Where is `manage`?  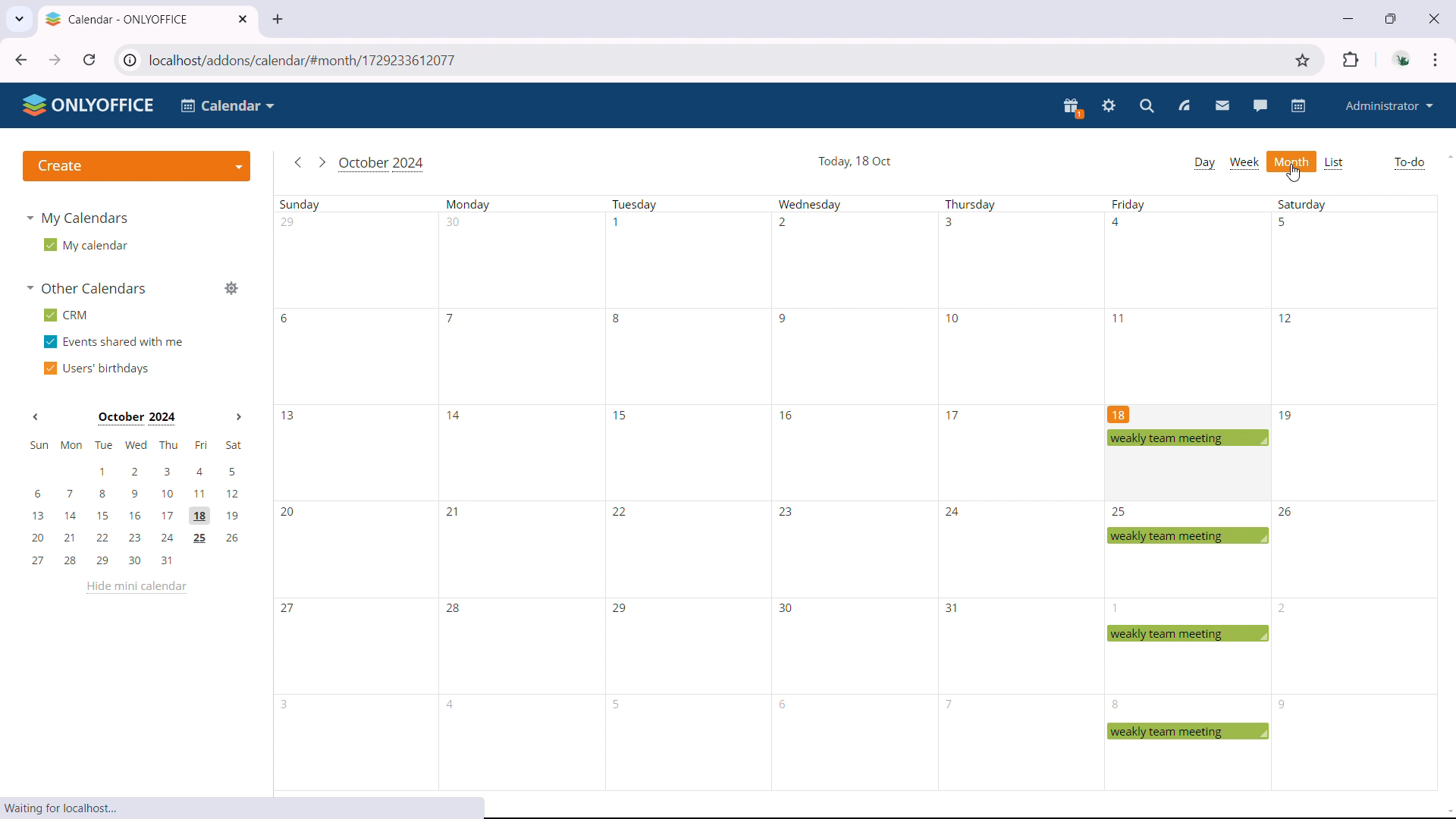
manage is located at coordinates (231, 287).